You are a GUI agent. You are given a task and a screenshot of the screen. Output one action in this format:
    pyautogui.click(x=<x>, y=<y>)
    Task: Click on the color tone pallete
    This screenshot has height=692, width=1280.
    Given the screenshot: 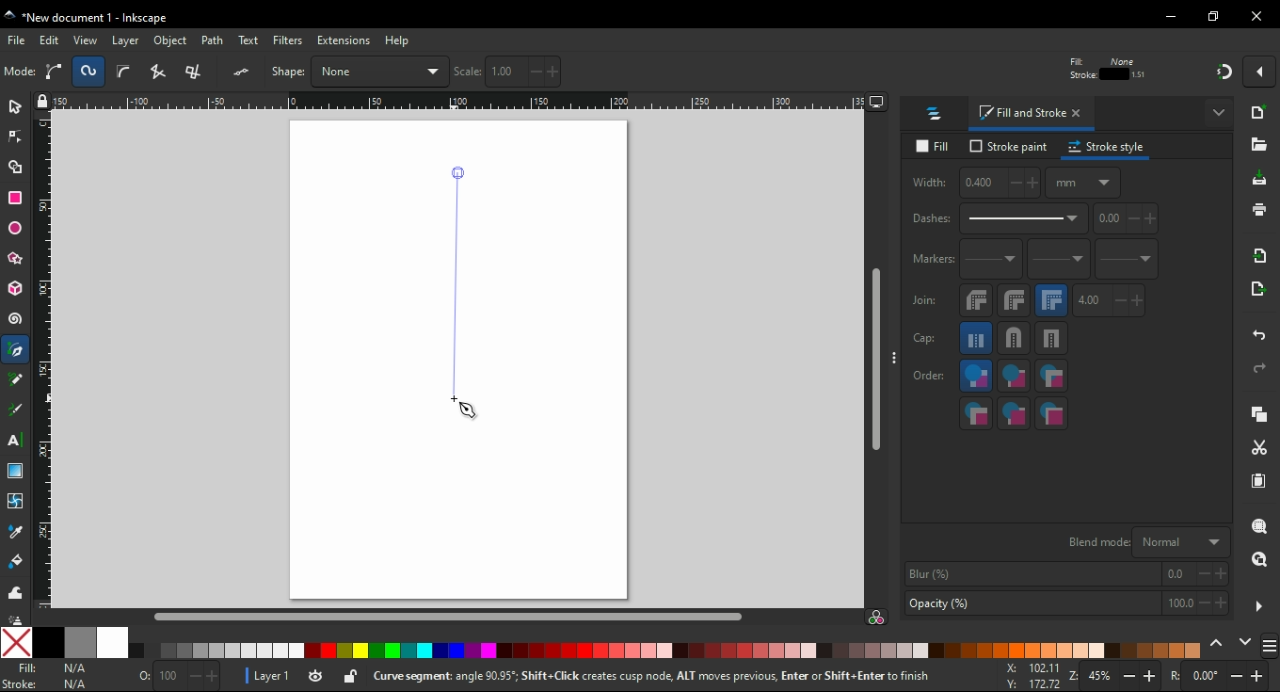 What is the action you would take?
    pyautogui.click(x=761, y=650)
    